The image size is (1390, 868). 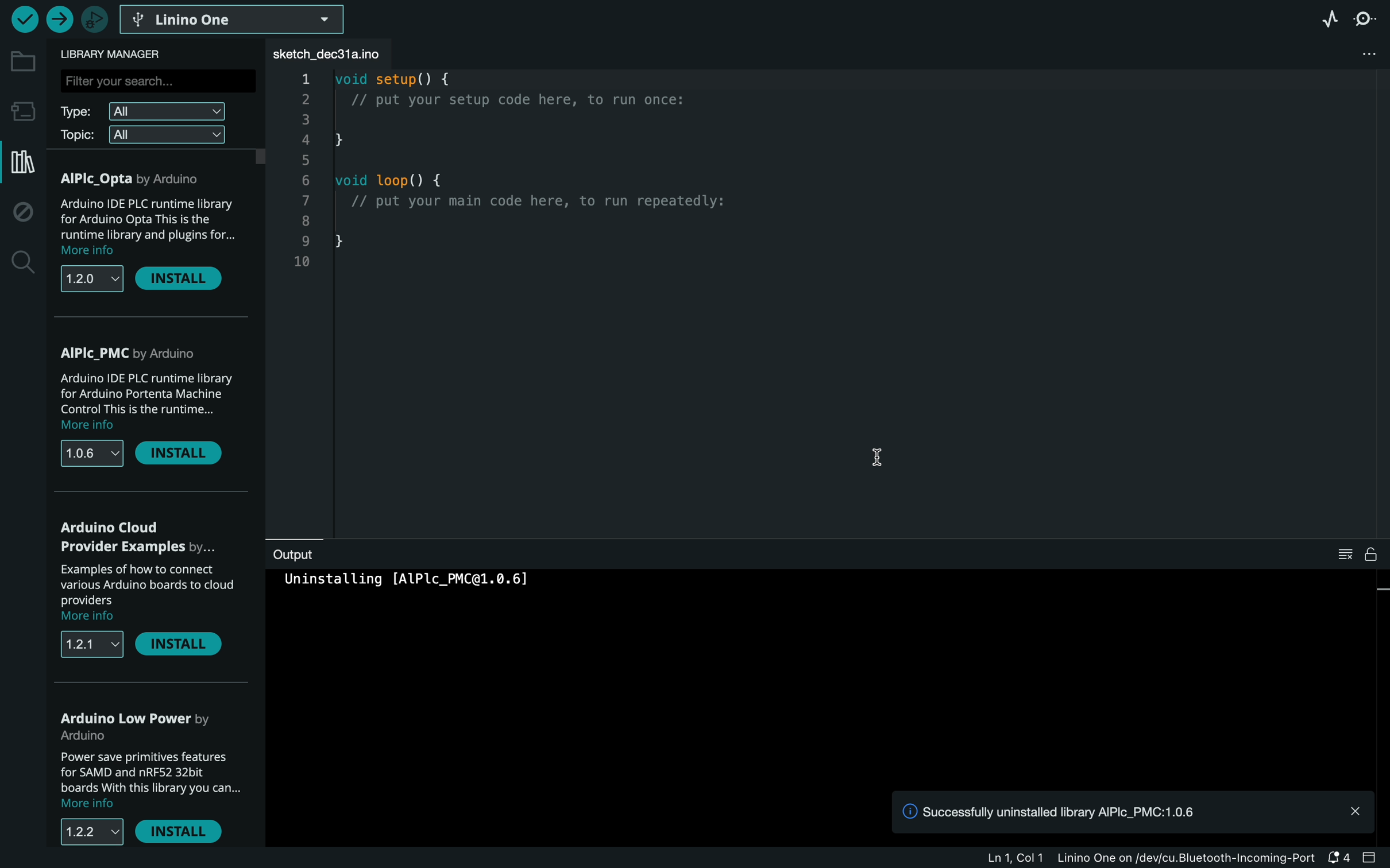 What do you see at coordinates (1357, 555) in the screenshot?
I see `clear` at bounding box center [1357, 555].